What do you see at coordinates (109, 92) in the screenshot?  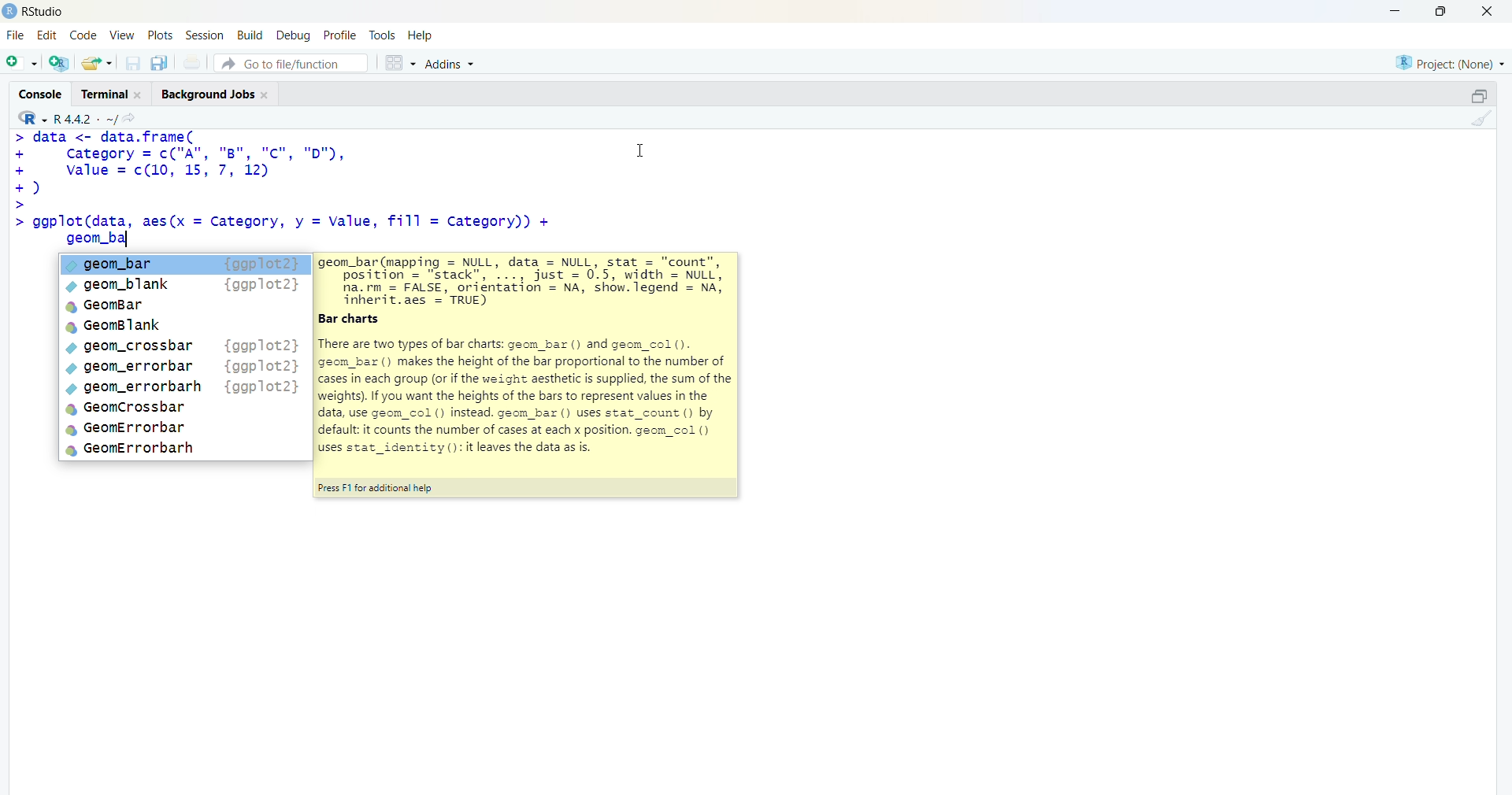 I see `Terminal` at bounding box center [109, 92].